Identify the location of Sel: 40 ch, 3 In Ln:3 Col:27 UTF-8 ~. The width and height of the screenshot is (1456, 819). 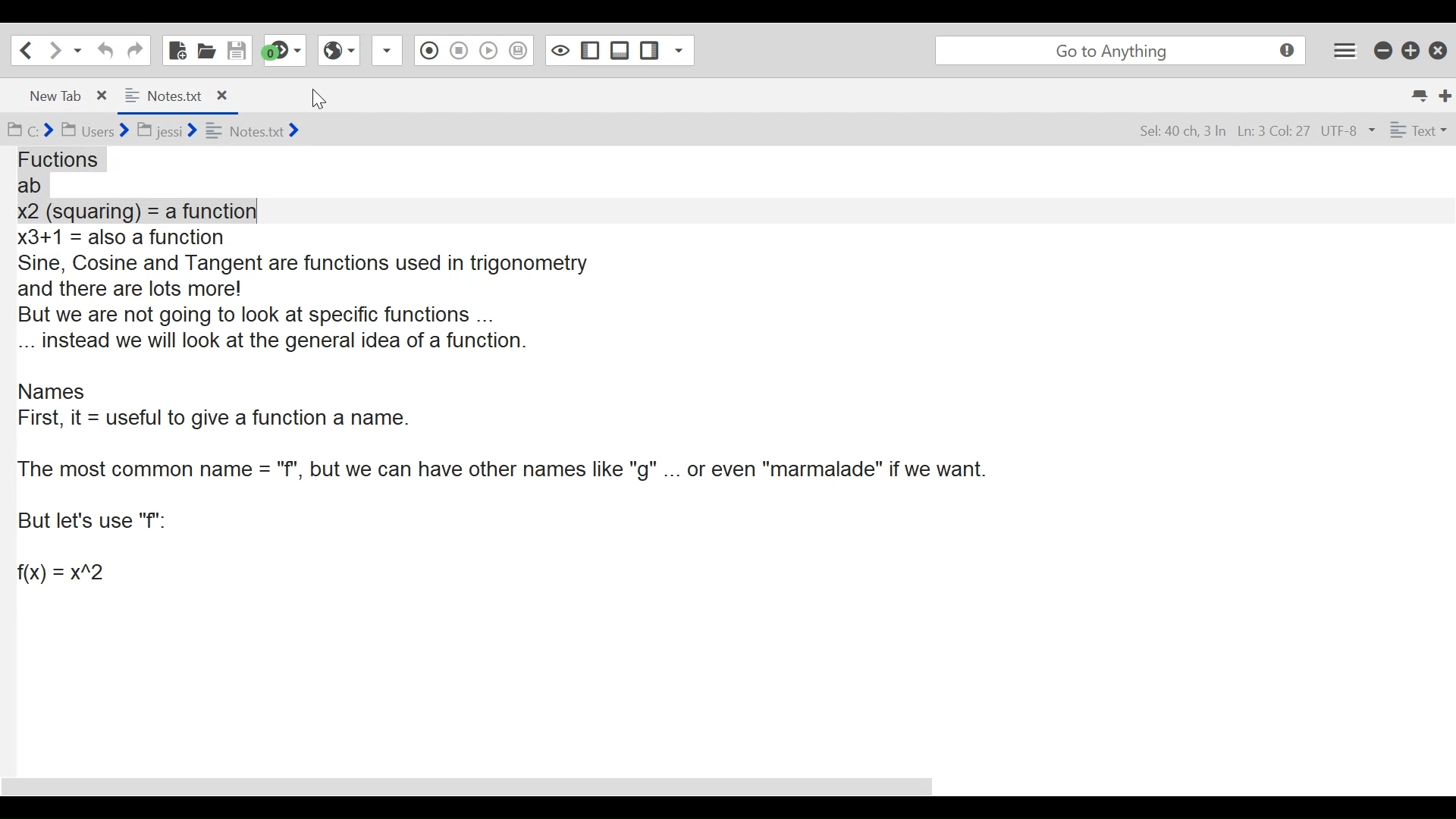
(1254, 129).